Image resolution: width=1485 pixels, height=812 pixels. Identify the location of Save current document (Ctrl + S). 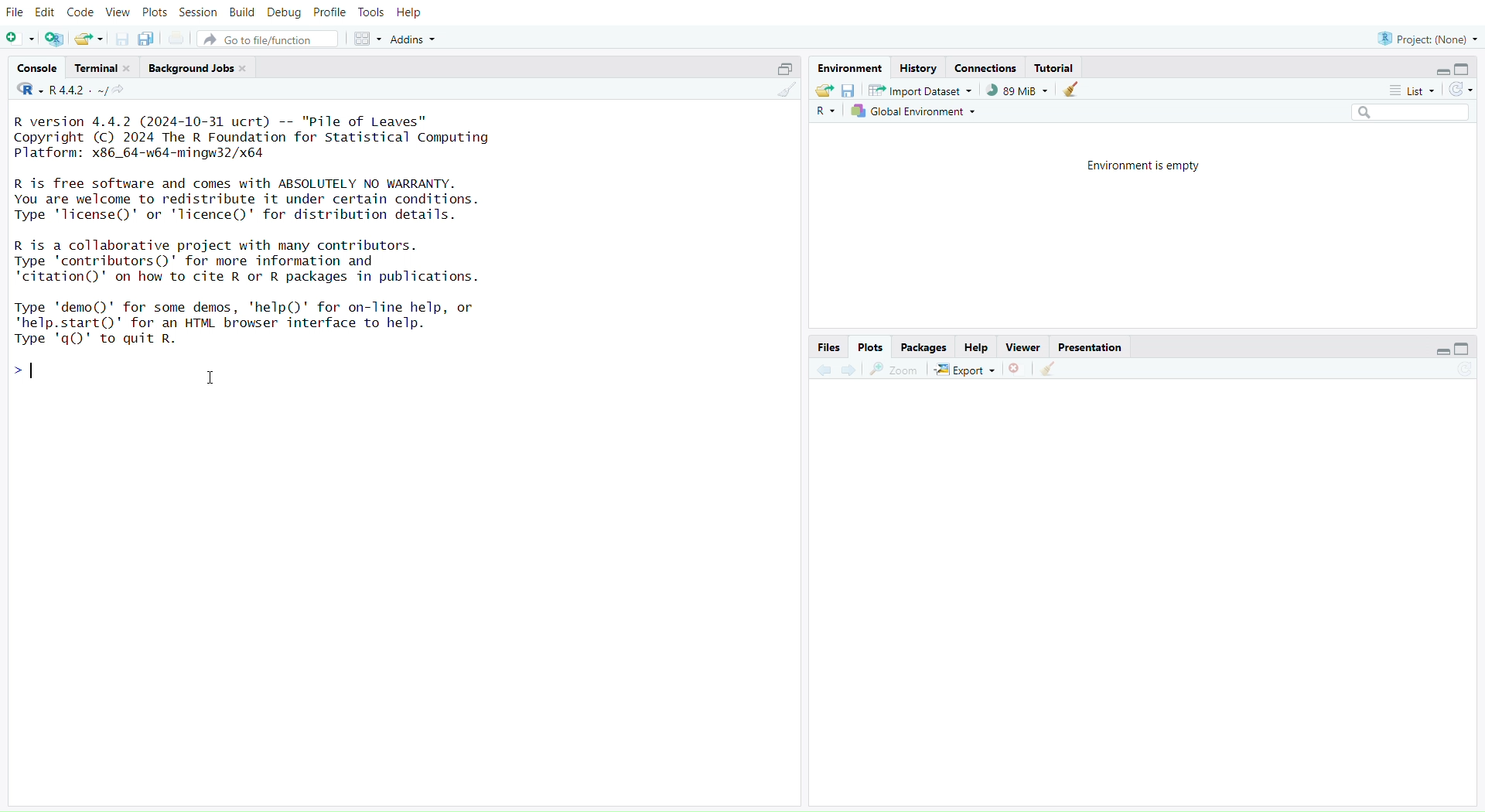
(119, 39).